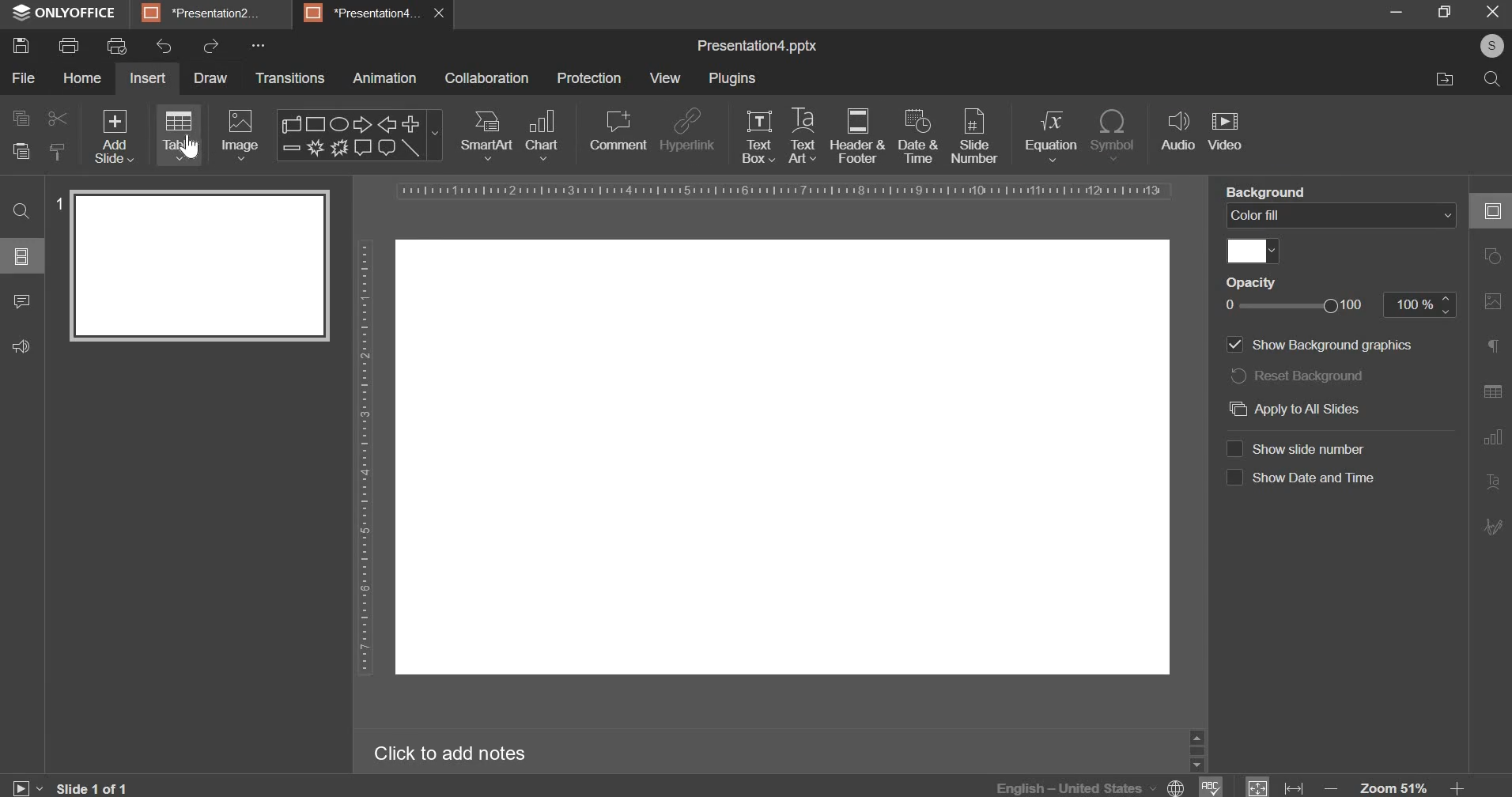 Image resolution: width=1512 pixels, height=797 pixels. I want to click on cut, so click(55, 119).